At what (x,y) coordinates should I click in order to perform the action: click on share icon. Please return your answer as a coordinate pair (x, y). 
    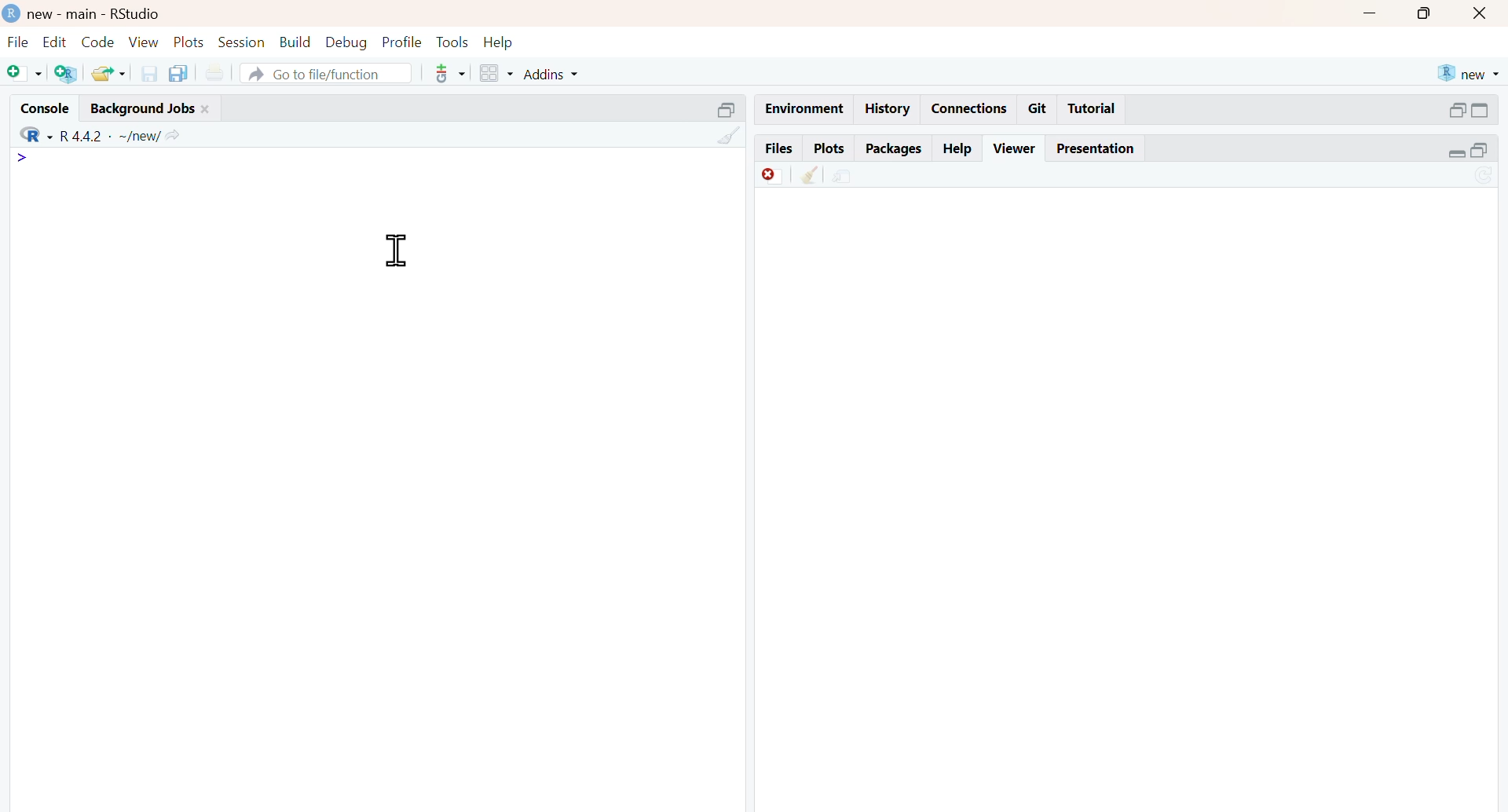
    Looking at the image, I should click on (172, 136).